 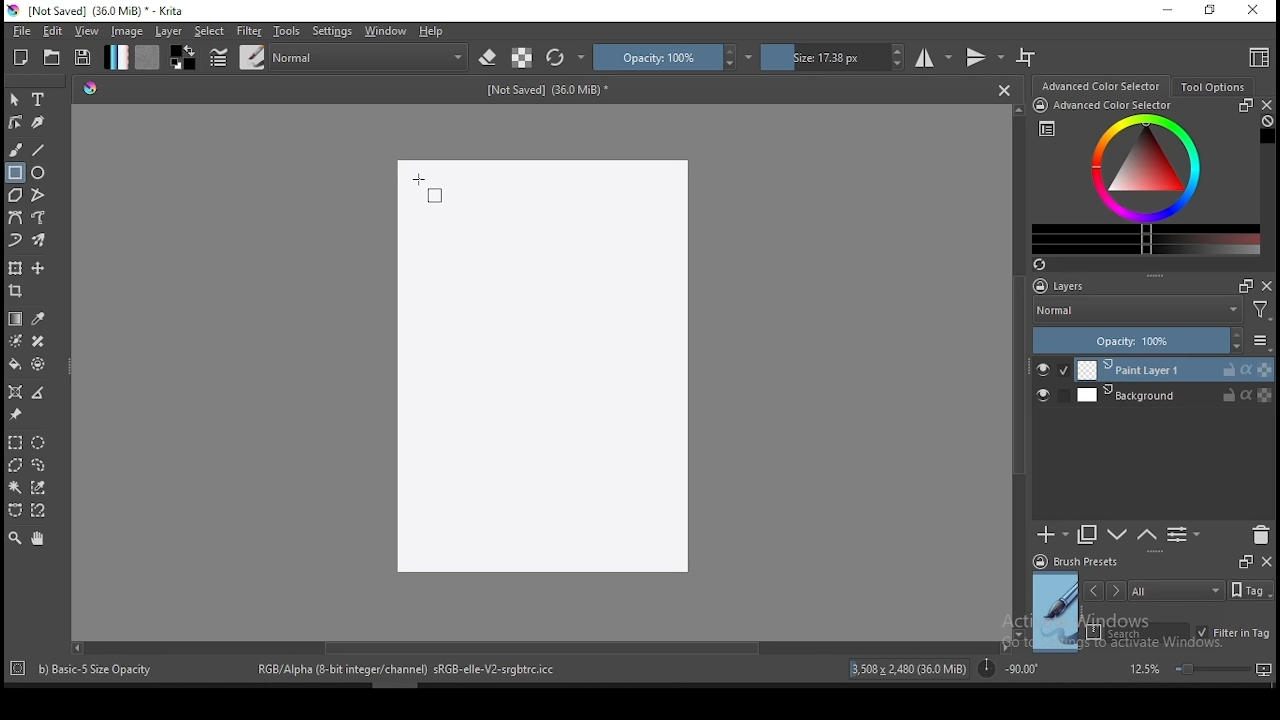 I want to click on freehand path tool, so click(x=40, y=218).